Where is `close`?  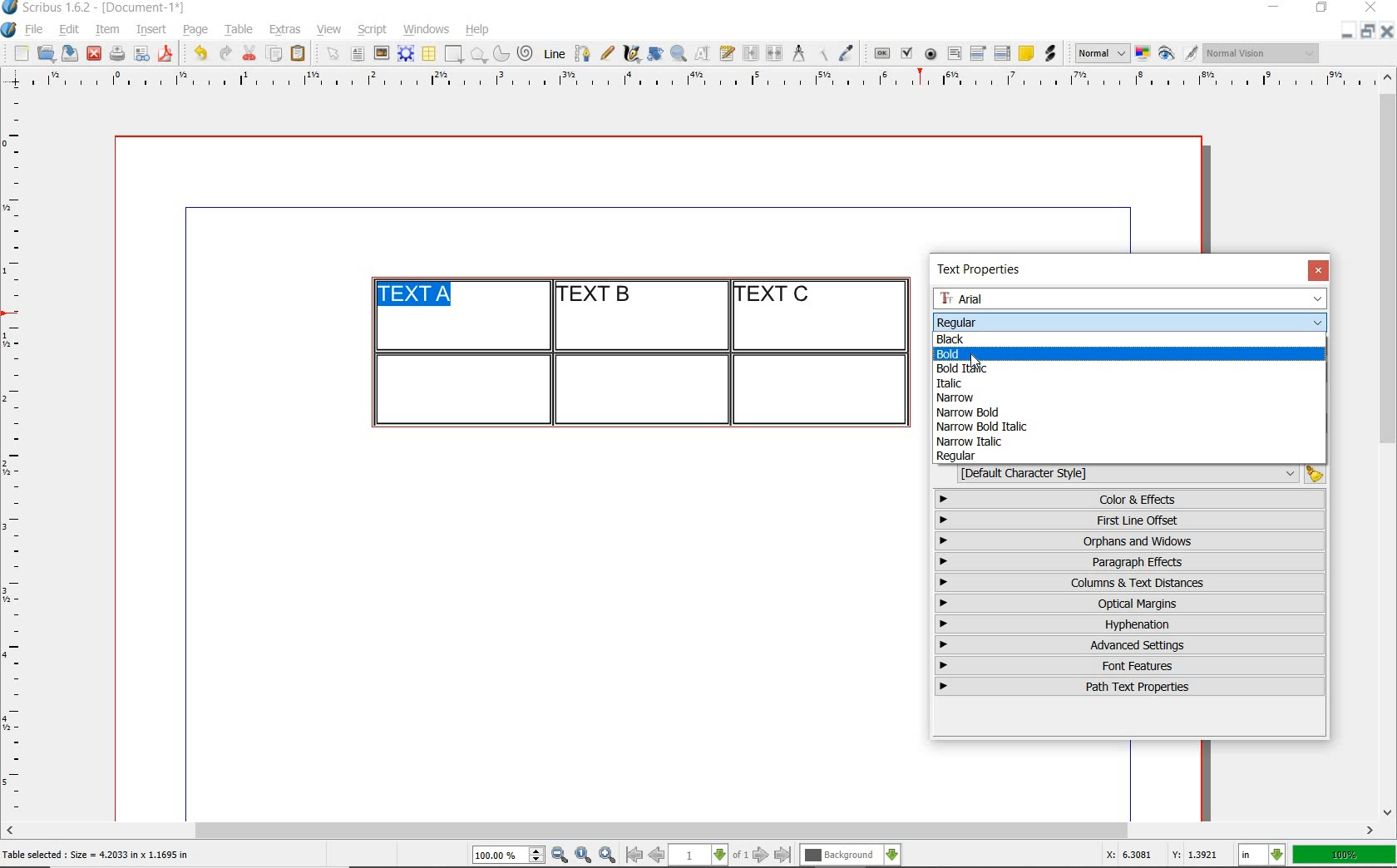 close is located at coordinates (1374, 7).